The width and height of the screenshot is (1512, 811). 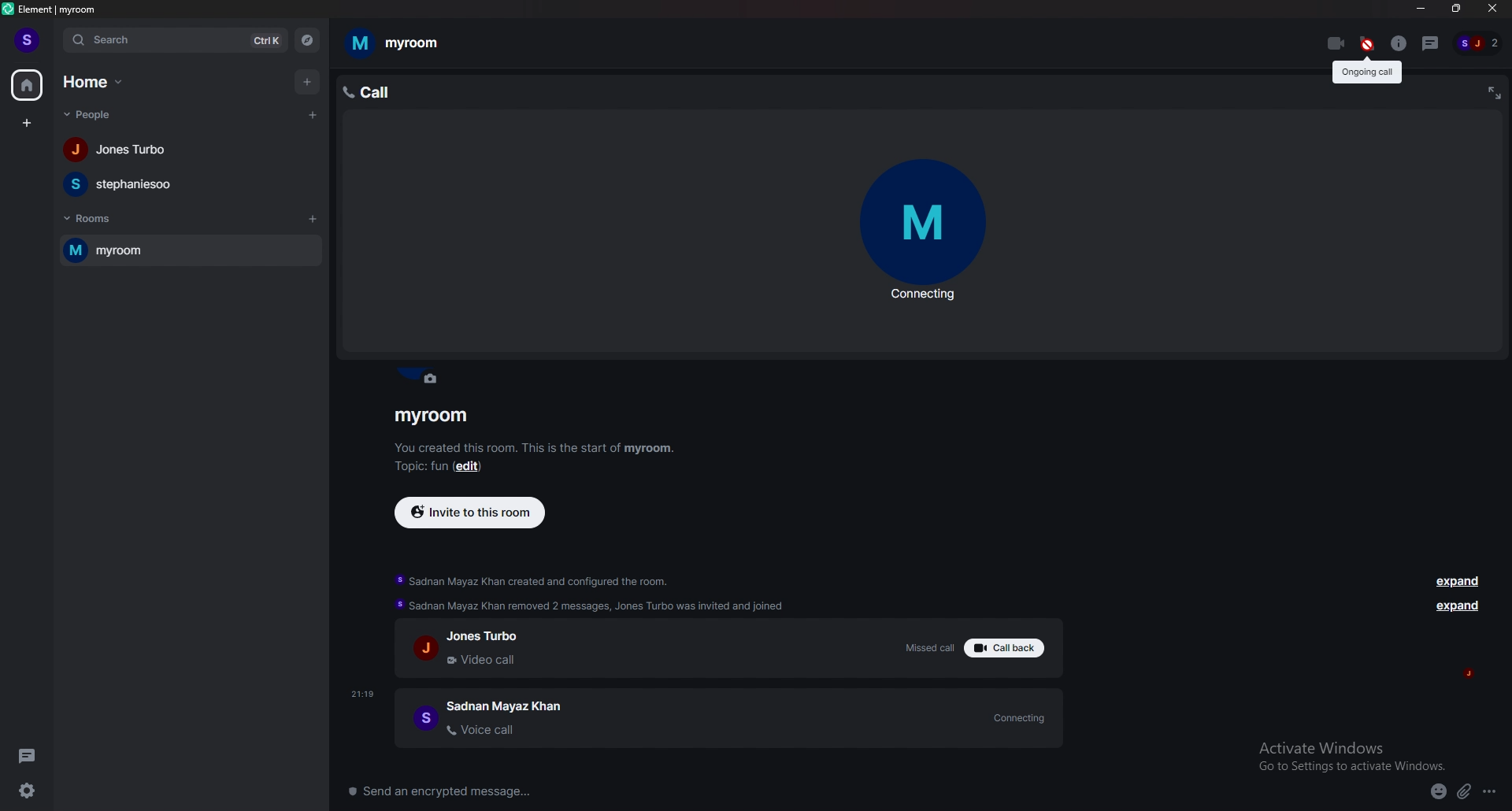 I want to click on people, so click(x=94, y=115).